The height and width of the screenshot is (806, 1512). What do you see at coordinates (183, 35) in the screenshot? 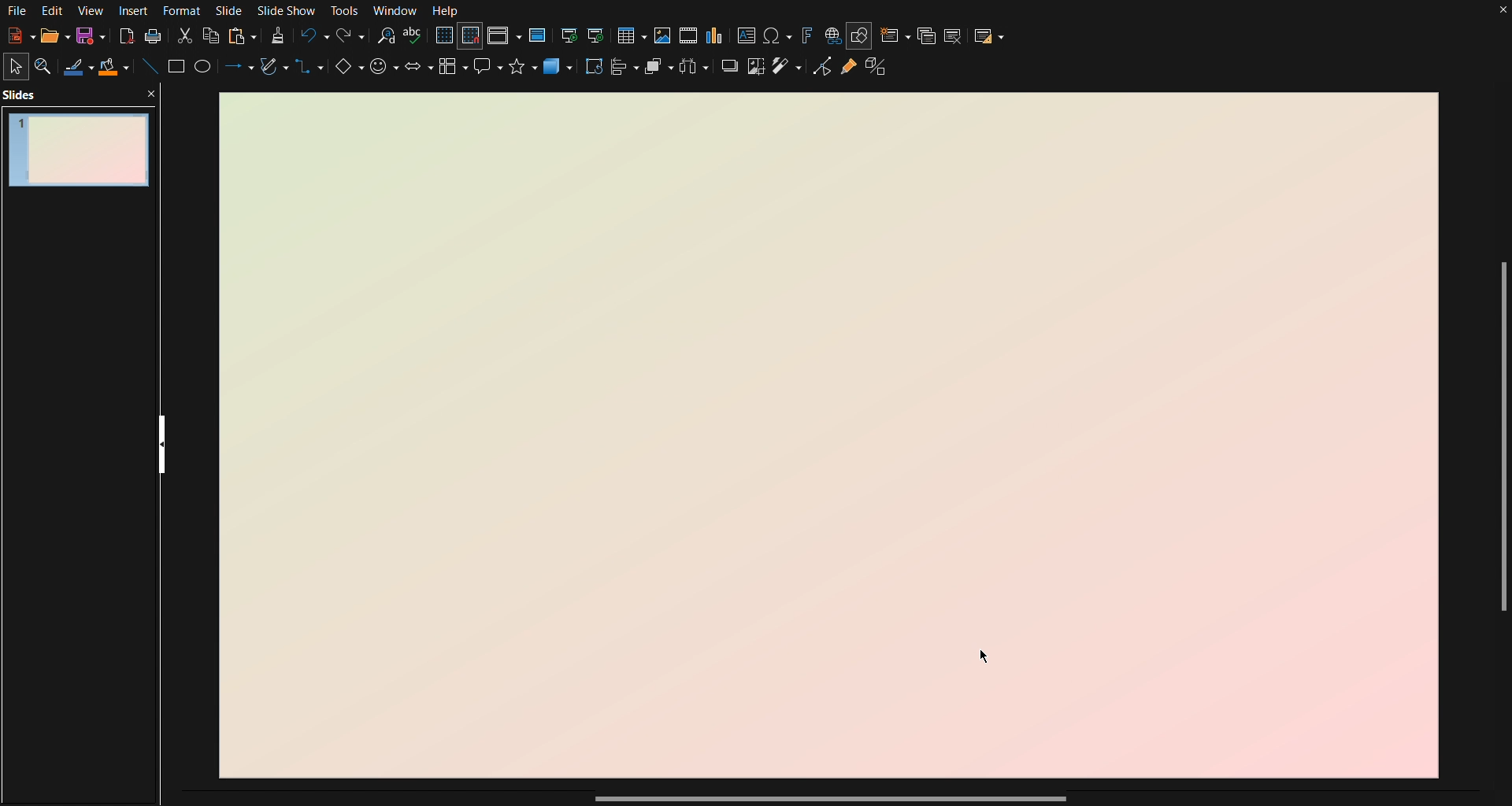
I see `Cut` at bounding box center [183, 35].